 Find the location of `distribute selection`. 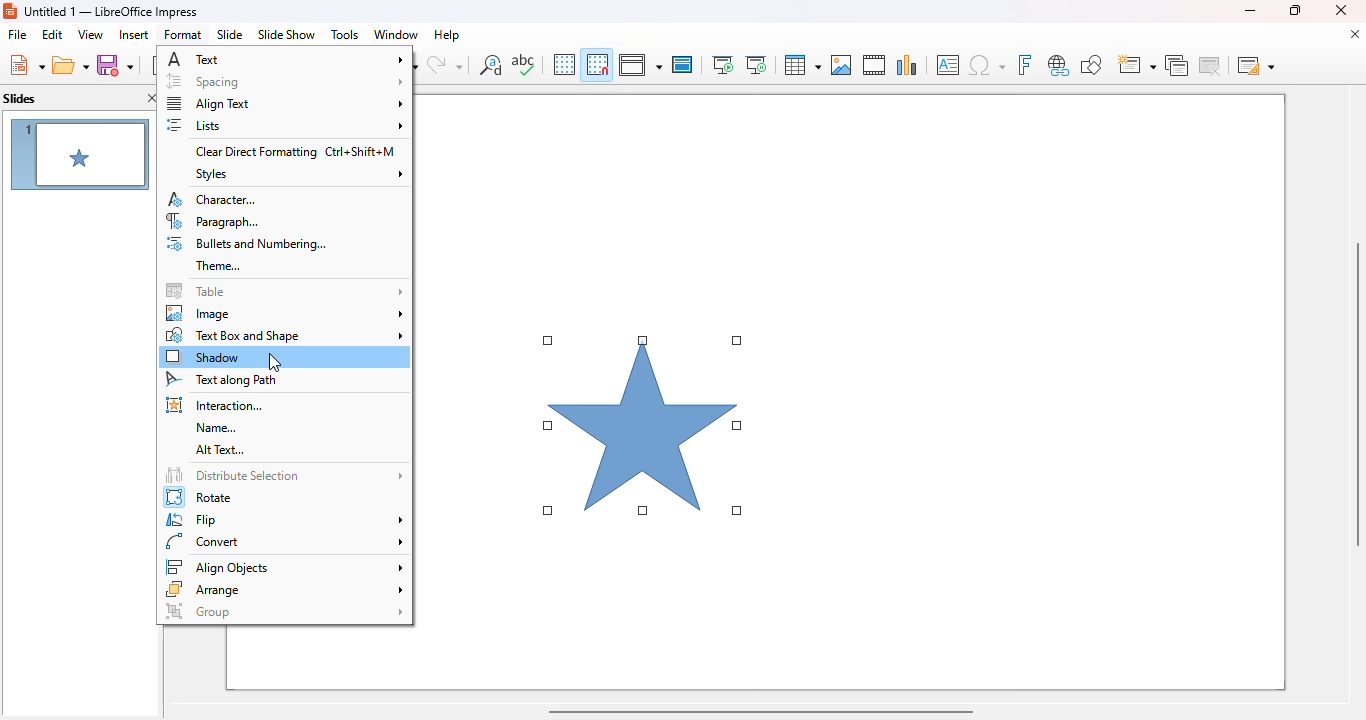

distribute selection is located at coordinates (284, 474).